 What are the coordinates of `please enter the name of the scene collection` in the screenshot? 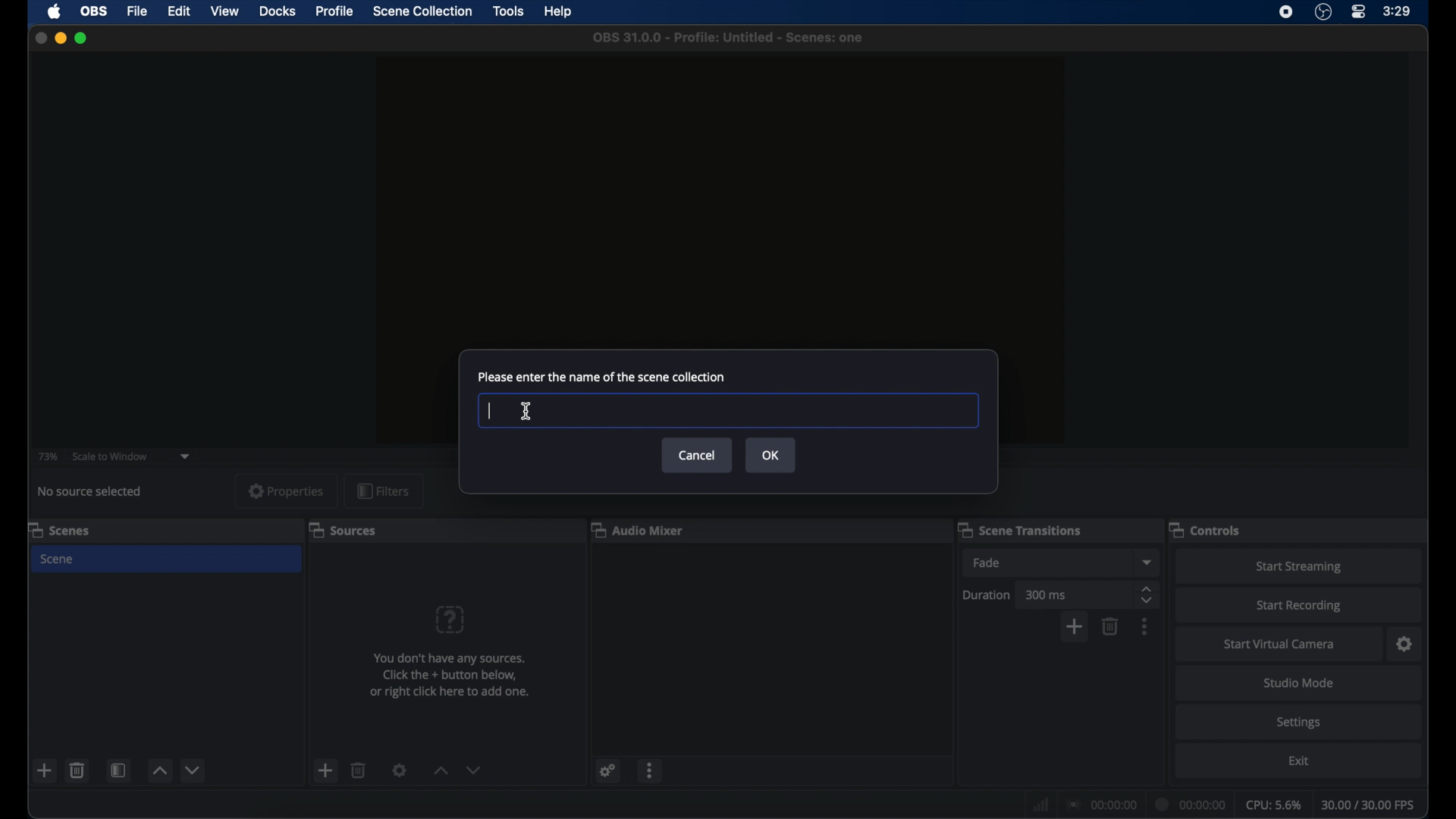 It's located at (601, 376).